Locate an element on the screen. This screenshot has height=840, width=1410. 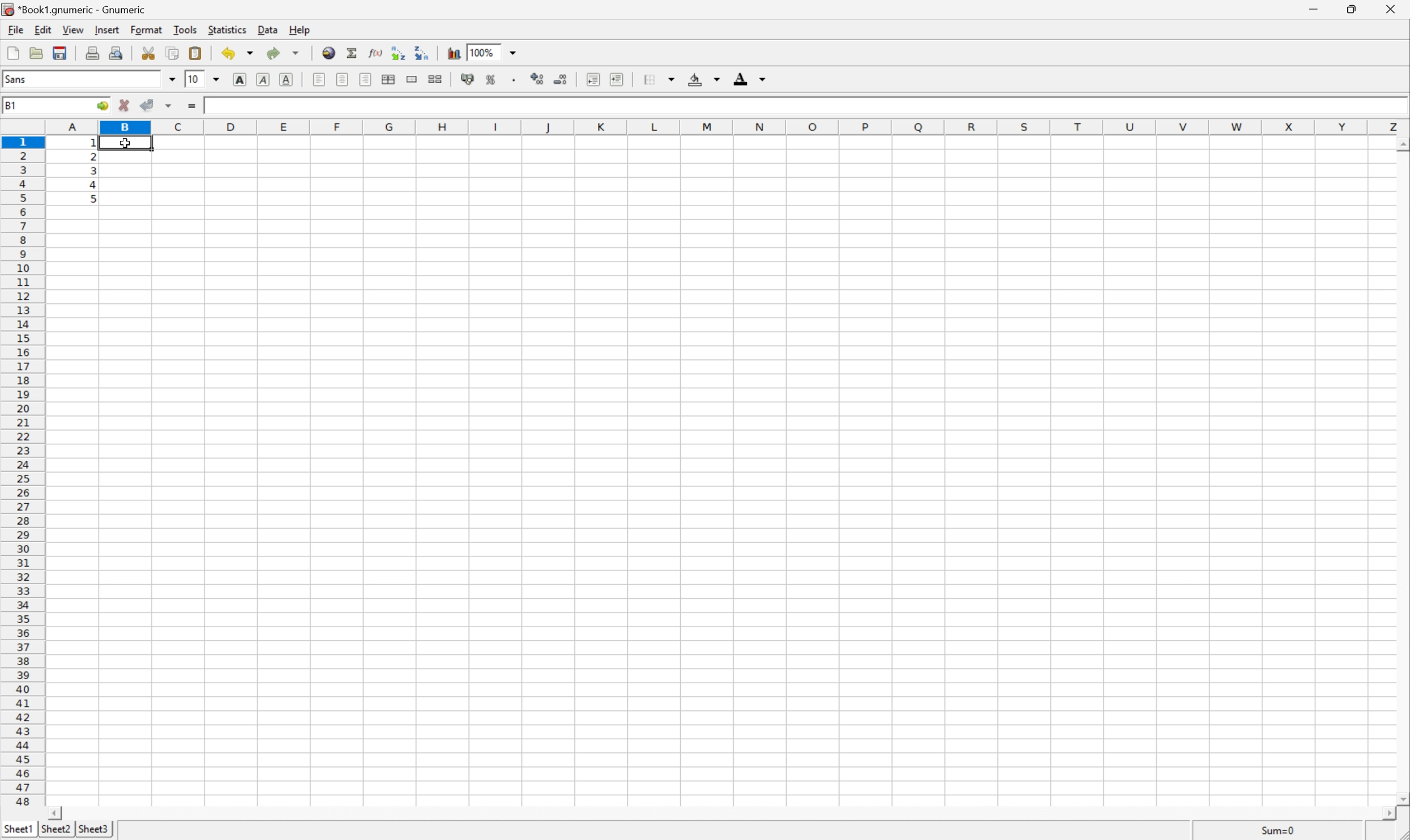
Split ranges of merged cells  is located at coordinates (435, 79).